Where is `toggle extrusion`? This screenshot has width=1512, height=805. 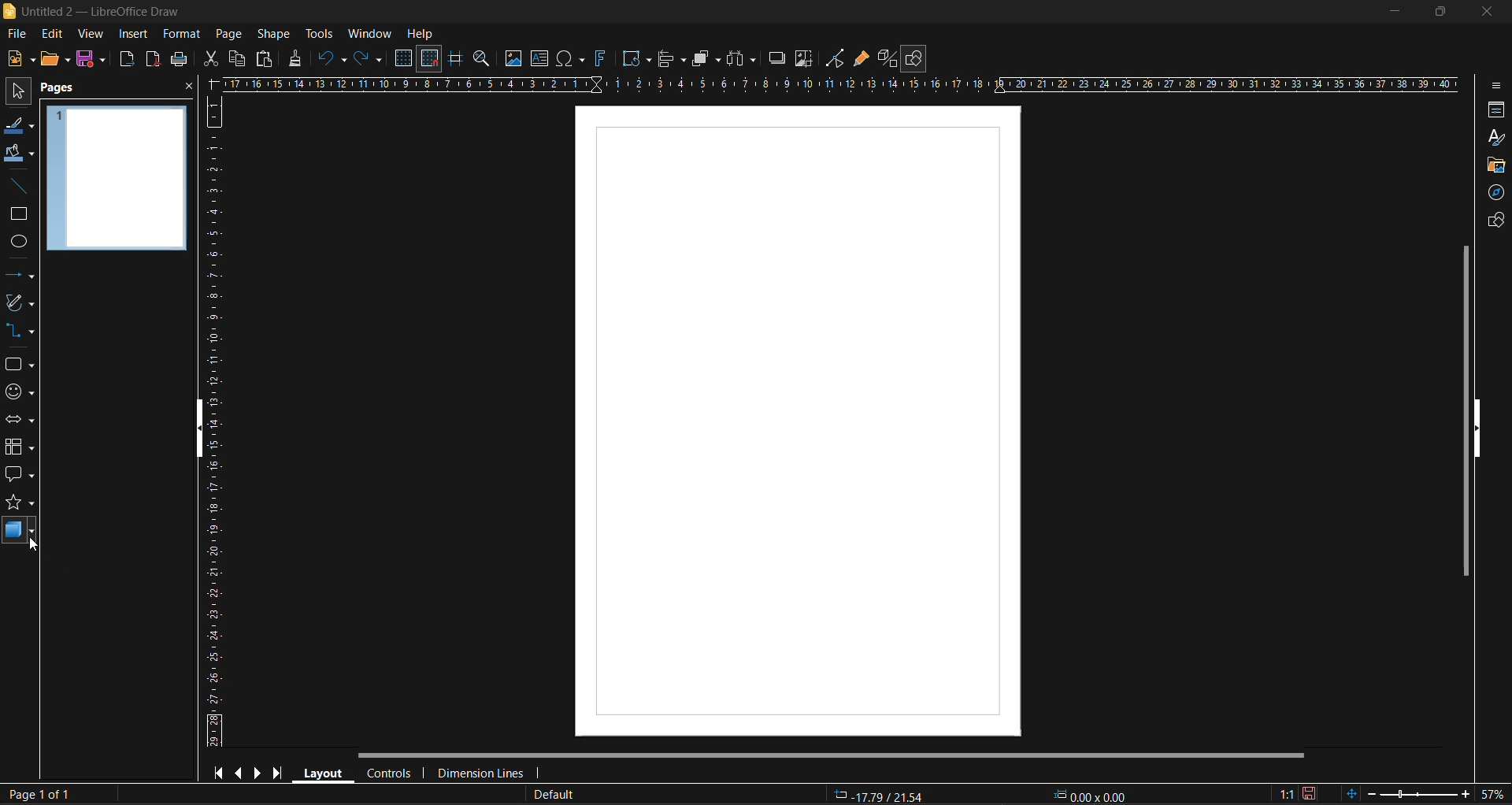
toggle extrusion is located at coordinates (886, 58).